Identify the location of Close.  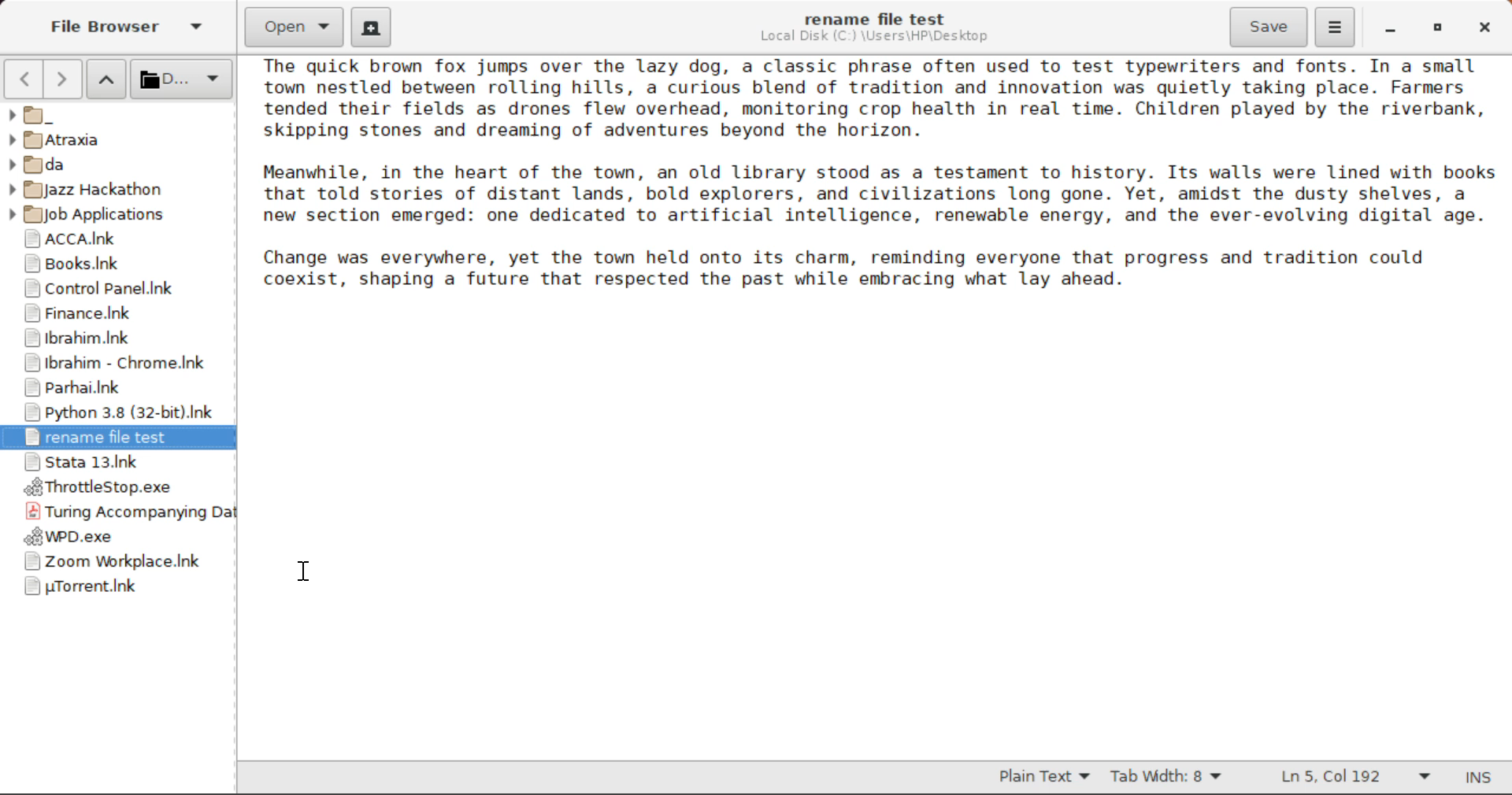
(1482, 28).